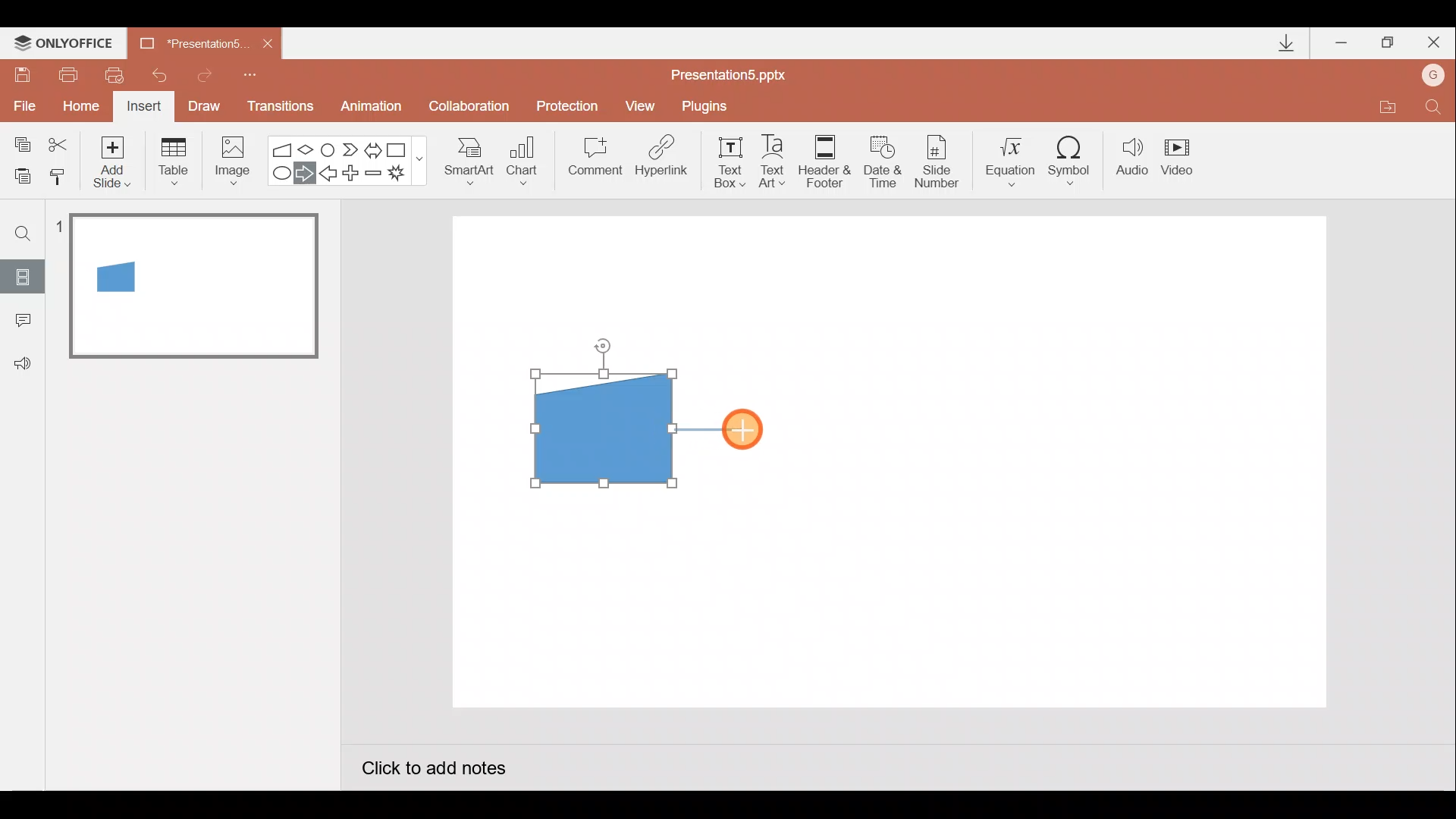 The image size is (1456, 819). I want to click on Chevron, so click(352, 150).